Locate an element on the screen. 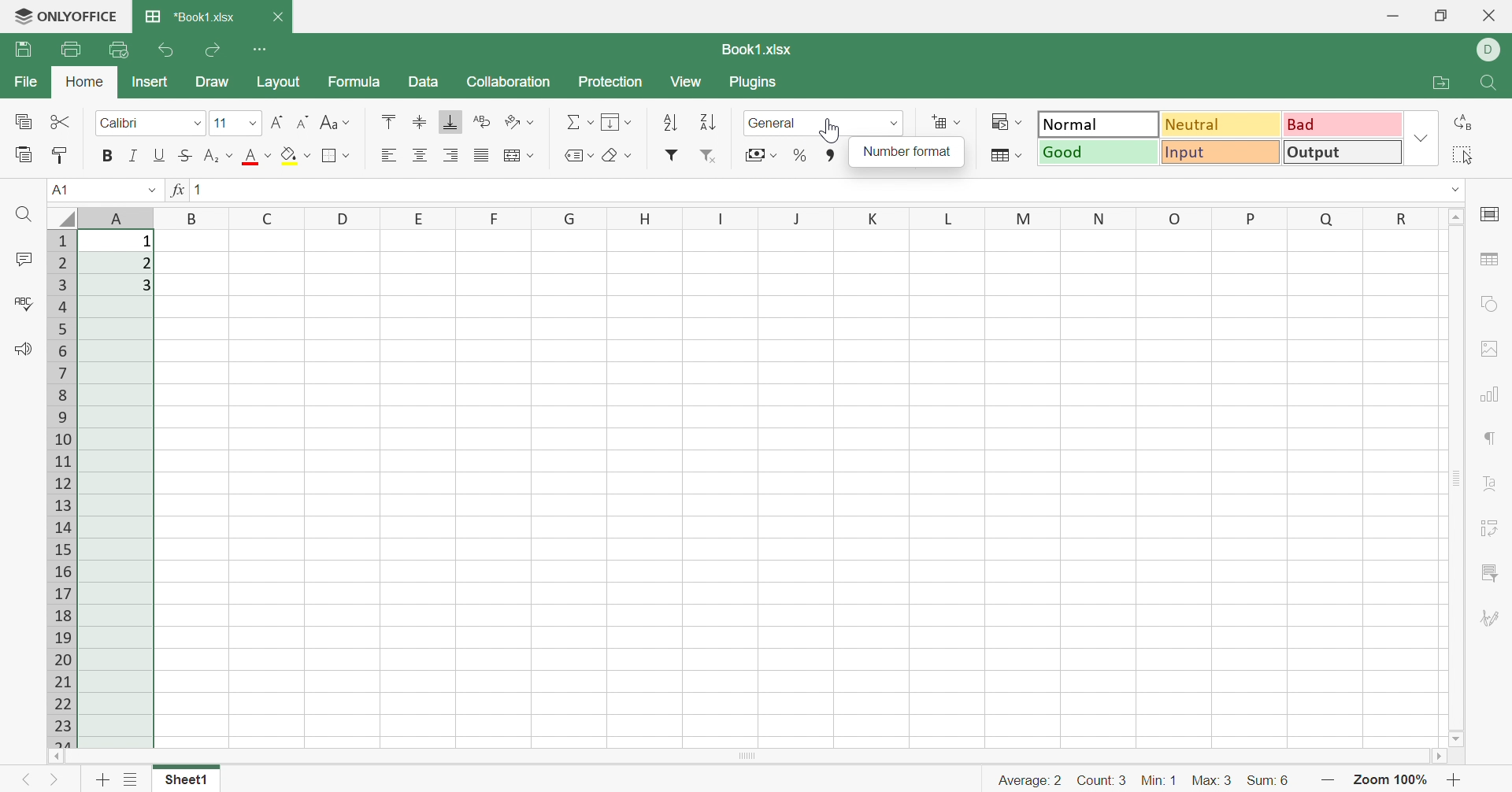 The image size is (1512, 792). Next is located at coordinates (54, 780).